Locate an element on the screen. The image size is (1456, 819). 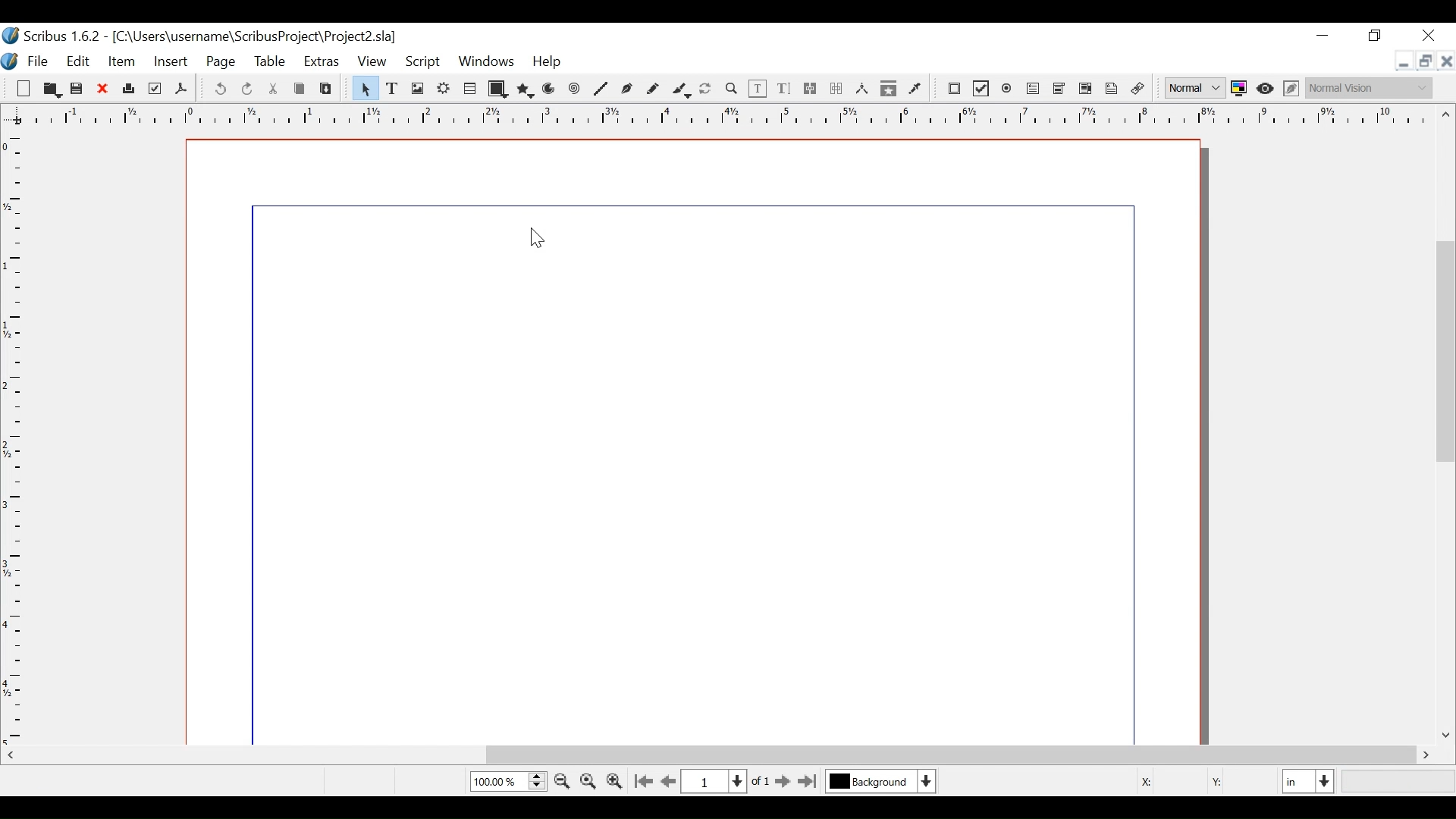
Close is located at coordinates (1423, 33).